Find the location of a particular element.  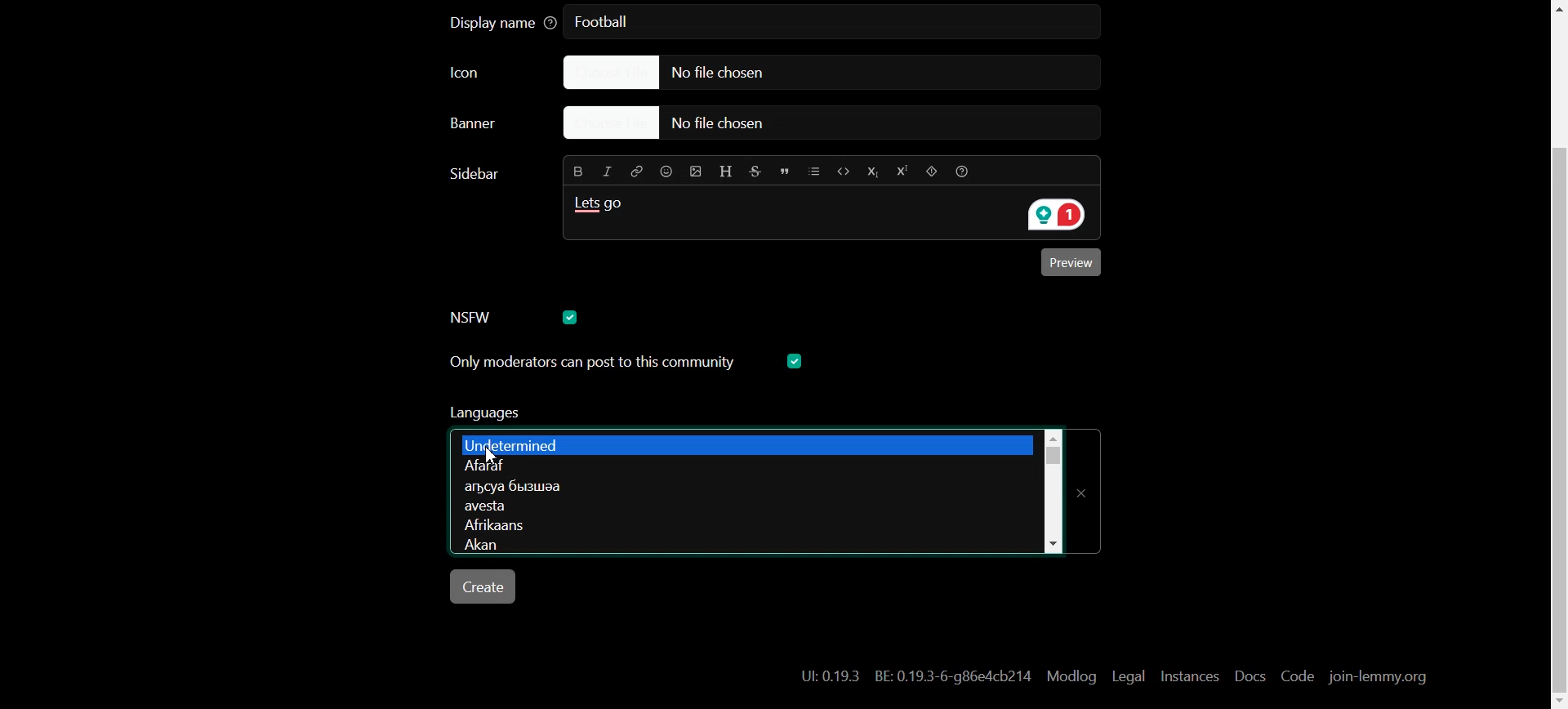

Superscript is located at coordinates (901, 172).